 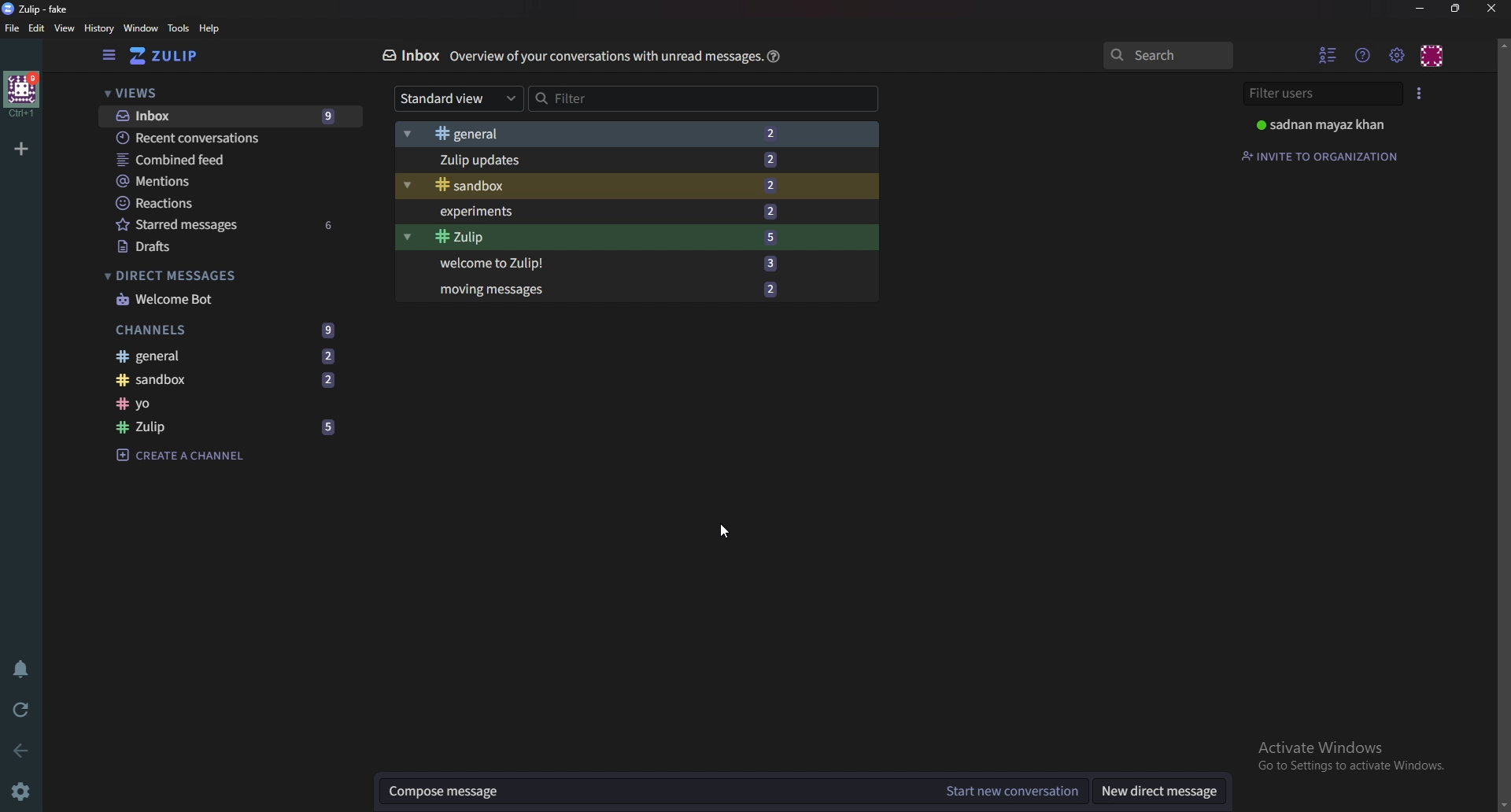 What do you see at coordinates (1321, 94) in the screenshot?
I see `Filter users` at bounding box center [1321, 94].